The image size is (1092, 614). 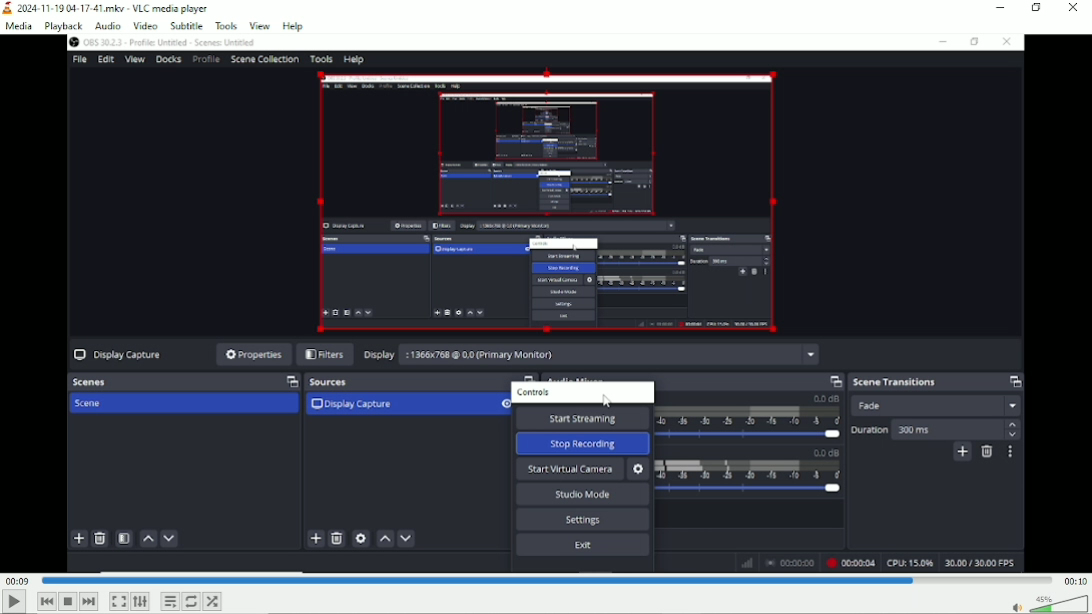 I want to click on Toggle video in fullscreen, so click(x=118, y=601).